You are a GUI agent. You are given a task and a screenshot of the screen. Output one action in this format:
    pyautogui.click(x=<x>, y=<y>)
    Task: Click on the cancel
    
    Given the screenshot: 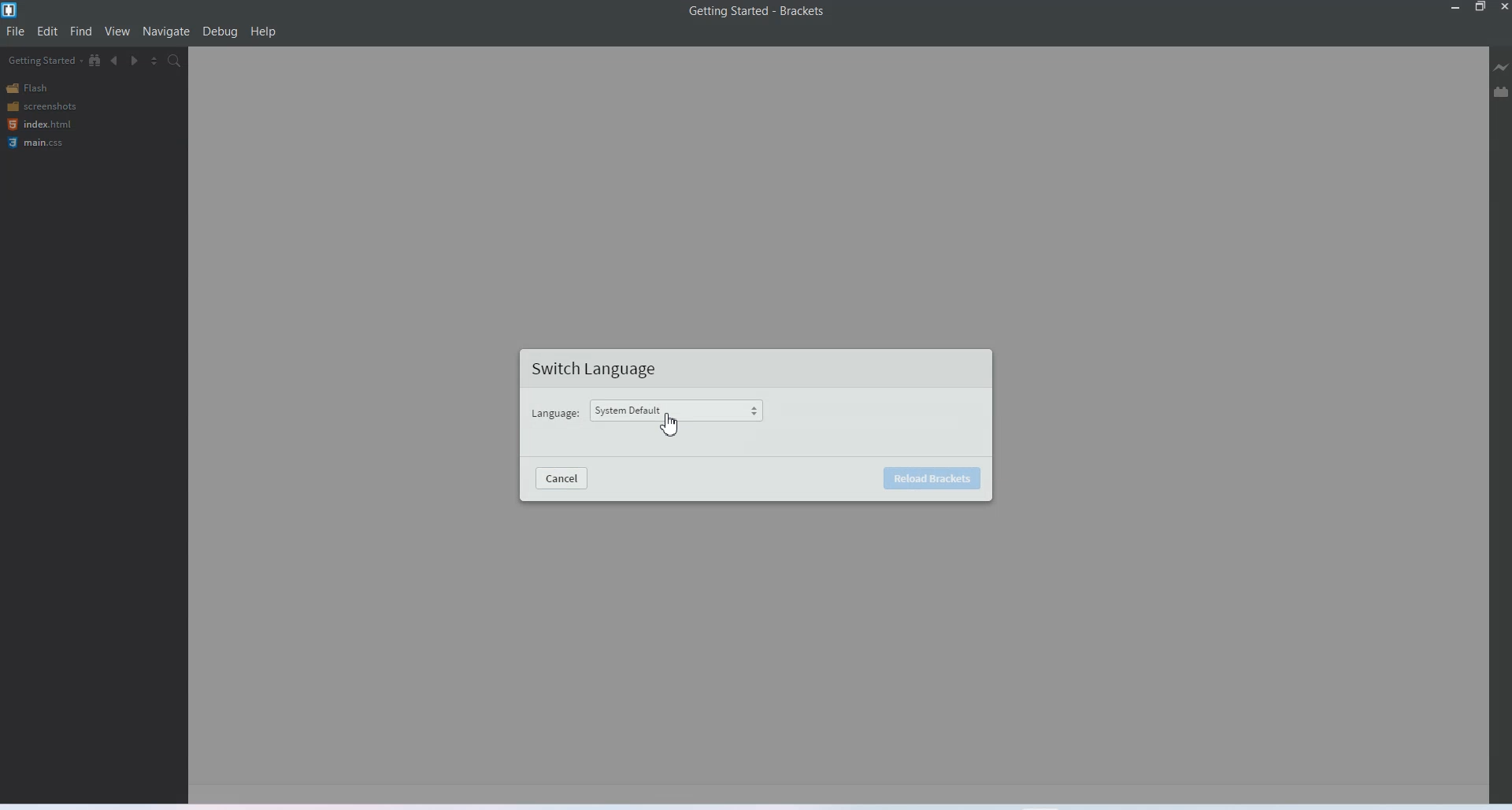 What is the action you would take?
    pyautogui.click(x=563, y=478)
    